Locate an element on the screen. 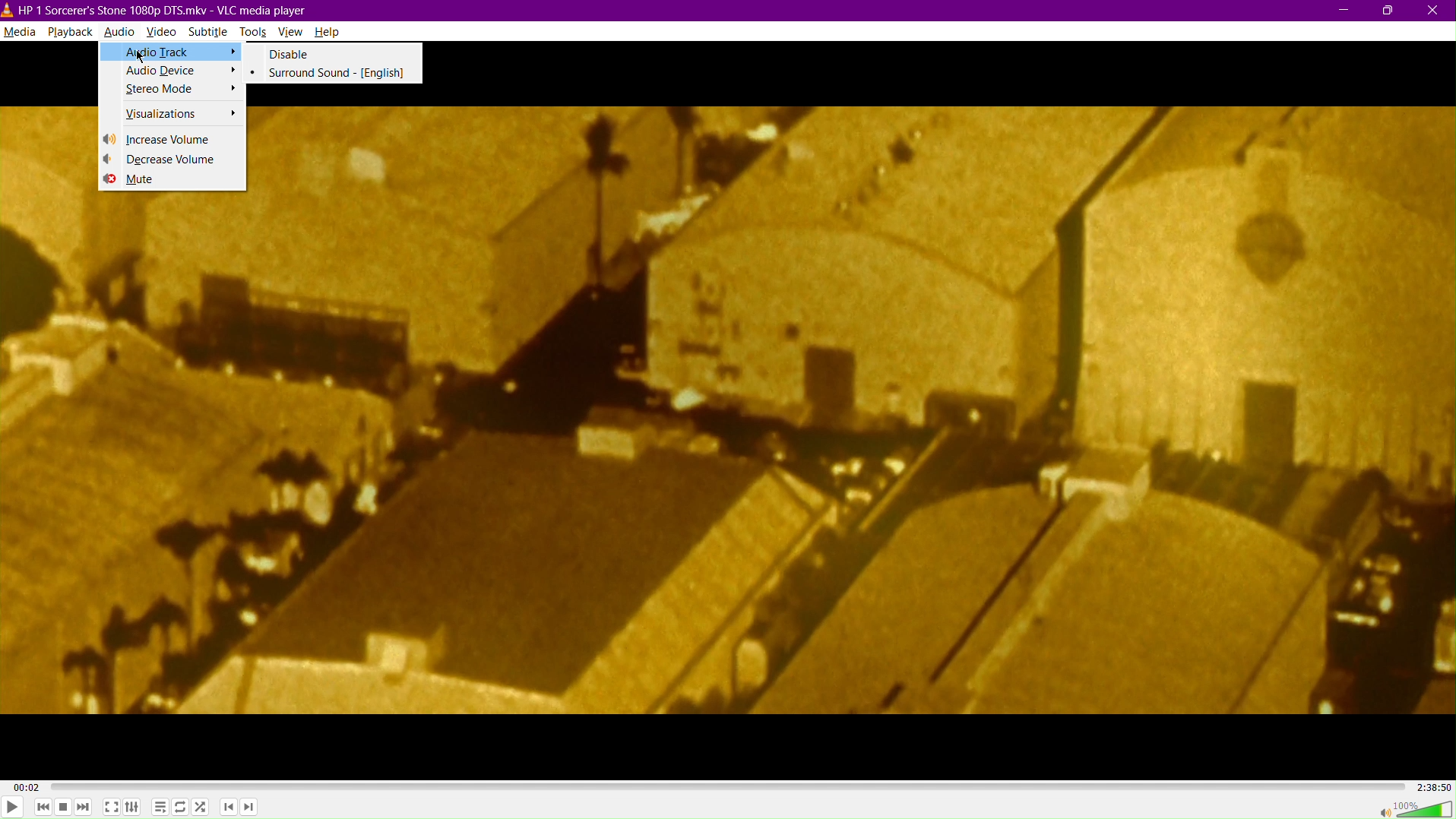  HP | Sorcerer's Stone 1080p DTS.mkv - VLC media player is located at coordinates (155, 11).